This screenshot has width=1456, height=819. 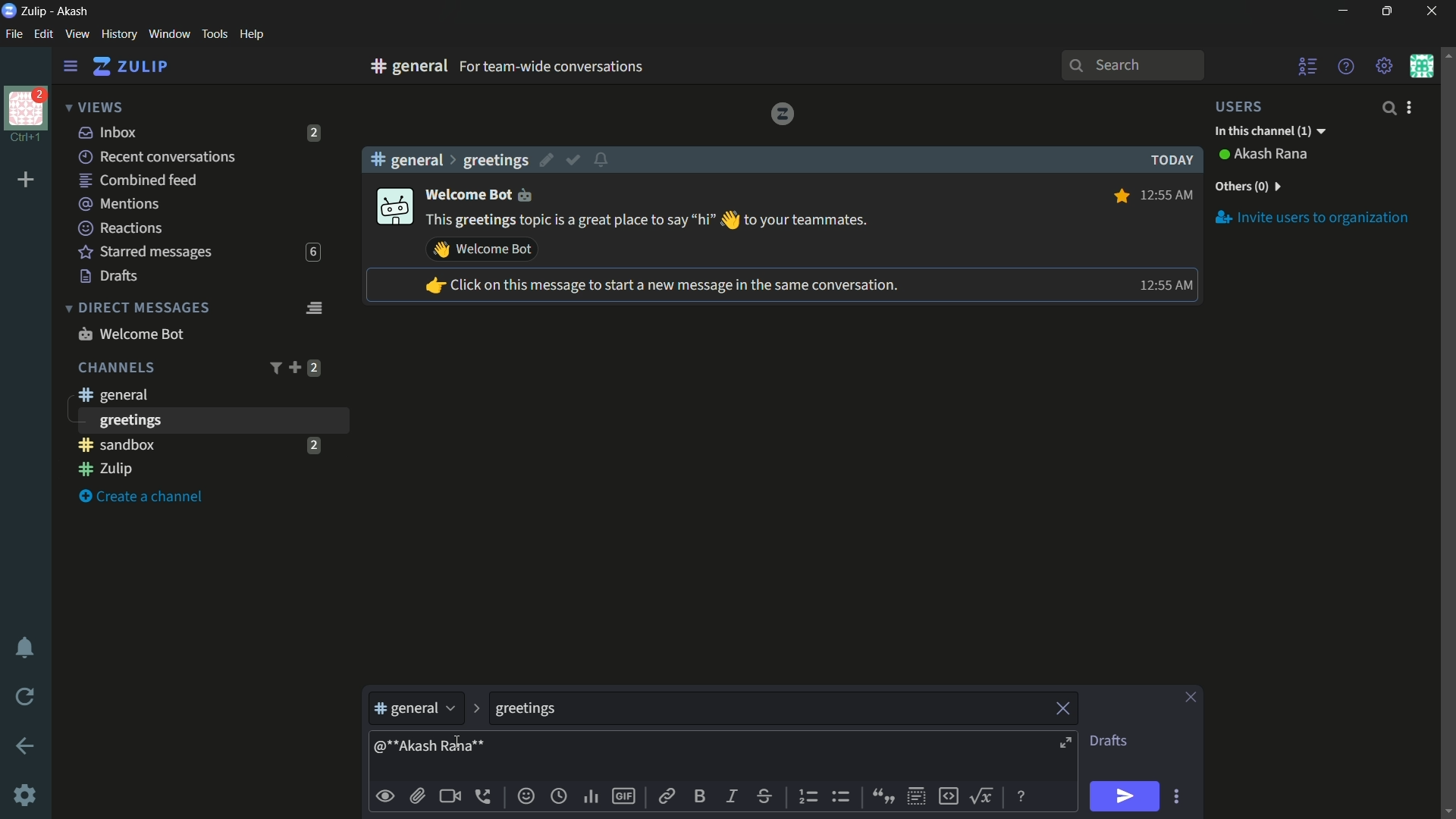 What do you see at coordinates (1270, 132) in the screenshot?
I see `in this channel` at bounding box center [1270, 132].